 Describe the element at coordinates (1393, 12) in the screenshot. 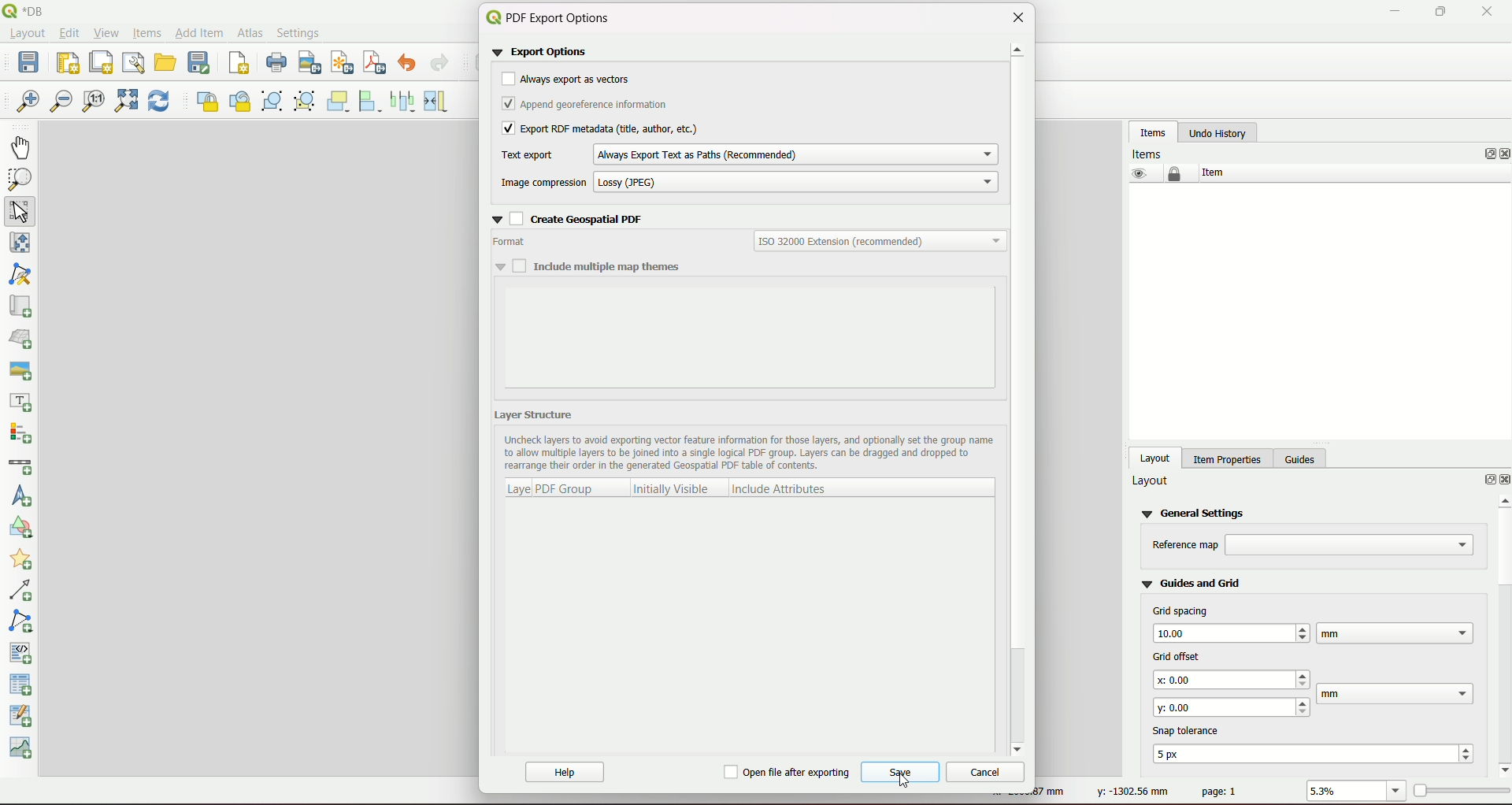

I see `minimize` at that location.